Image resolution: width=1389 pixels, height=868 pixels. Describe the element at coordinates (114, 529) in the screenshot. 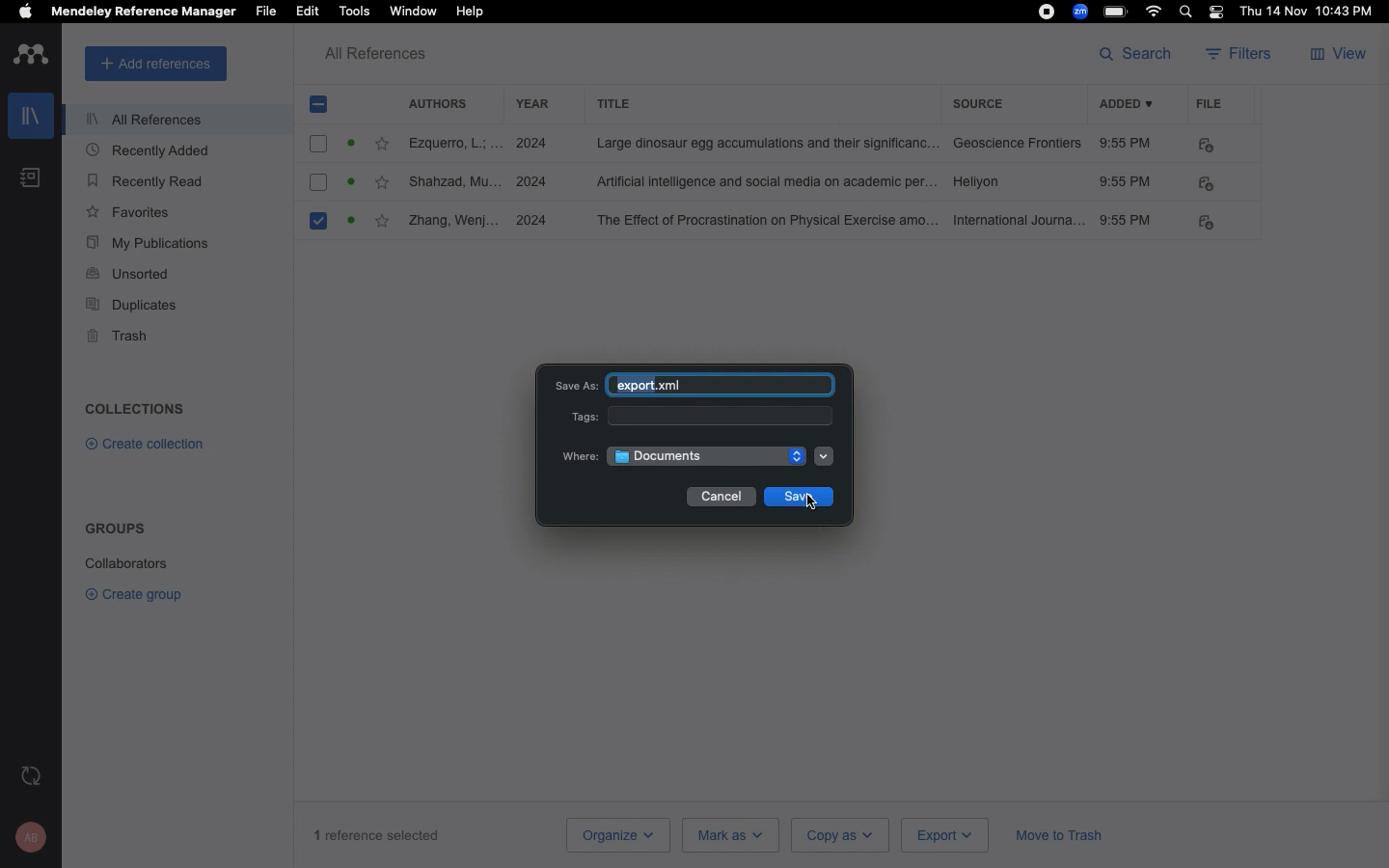

I see `Groups` at that location.